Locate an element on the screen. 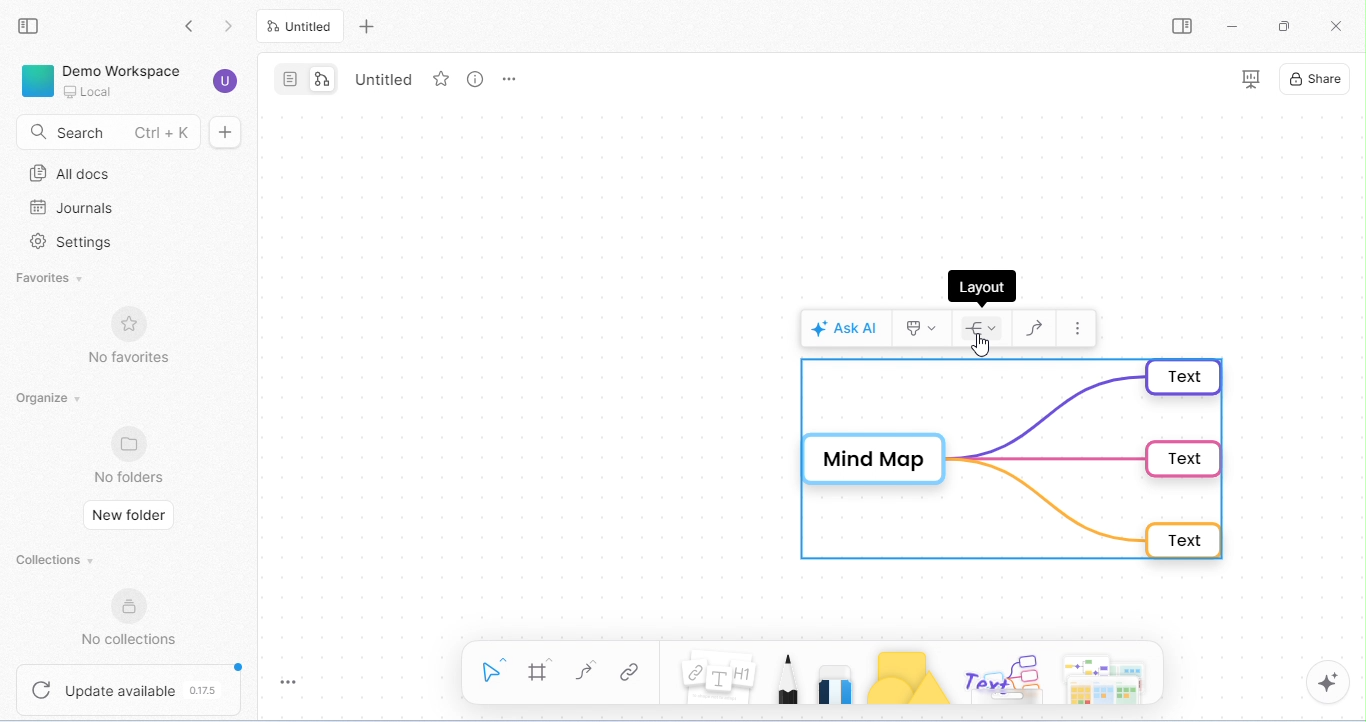 The image size is (1366, 722). new doc is located at coordinates (234, 132).